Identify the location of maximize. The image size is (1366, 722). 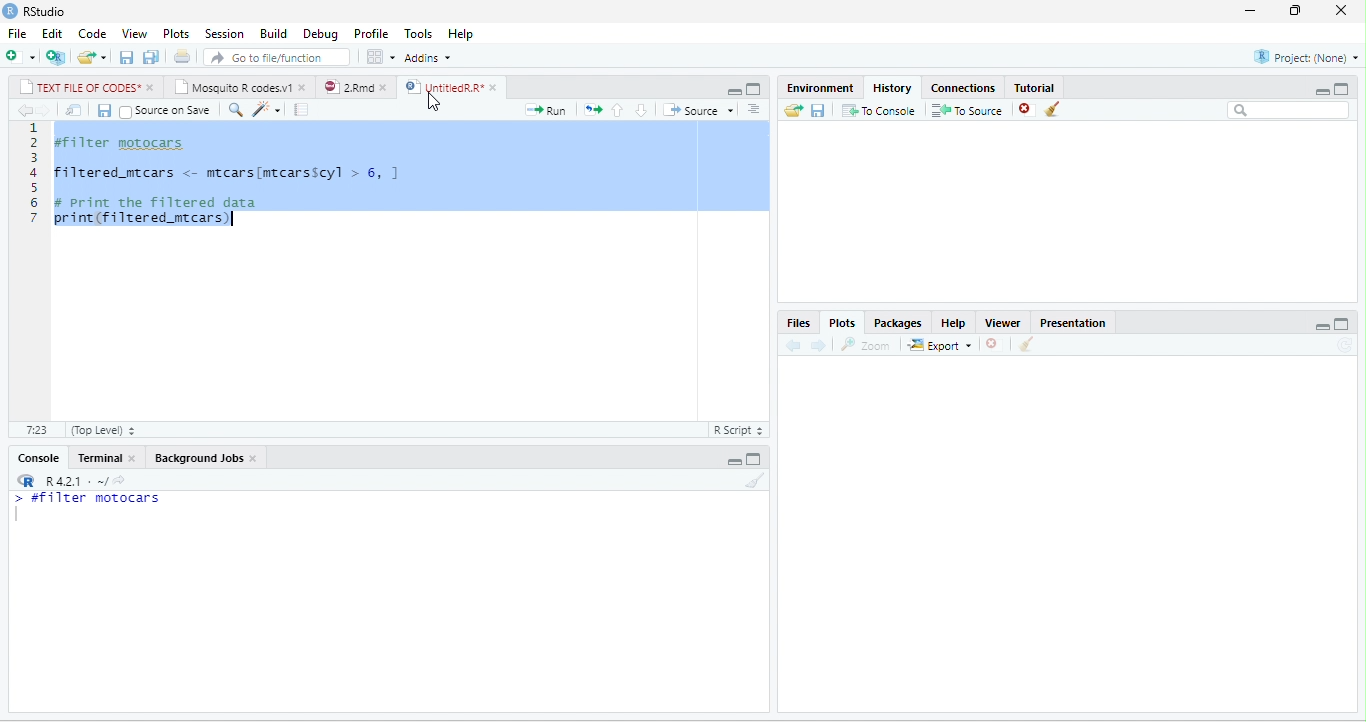
(753, 89).